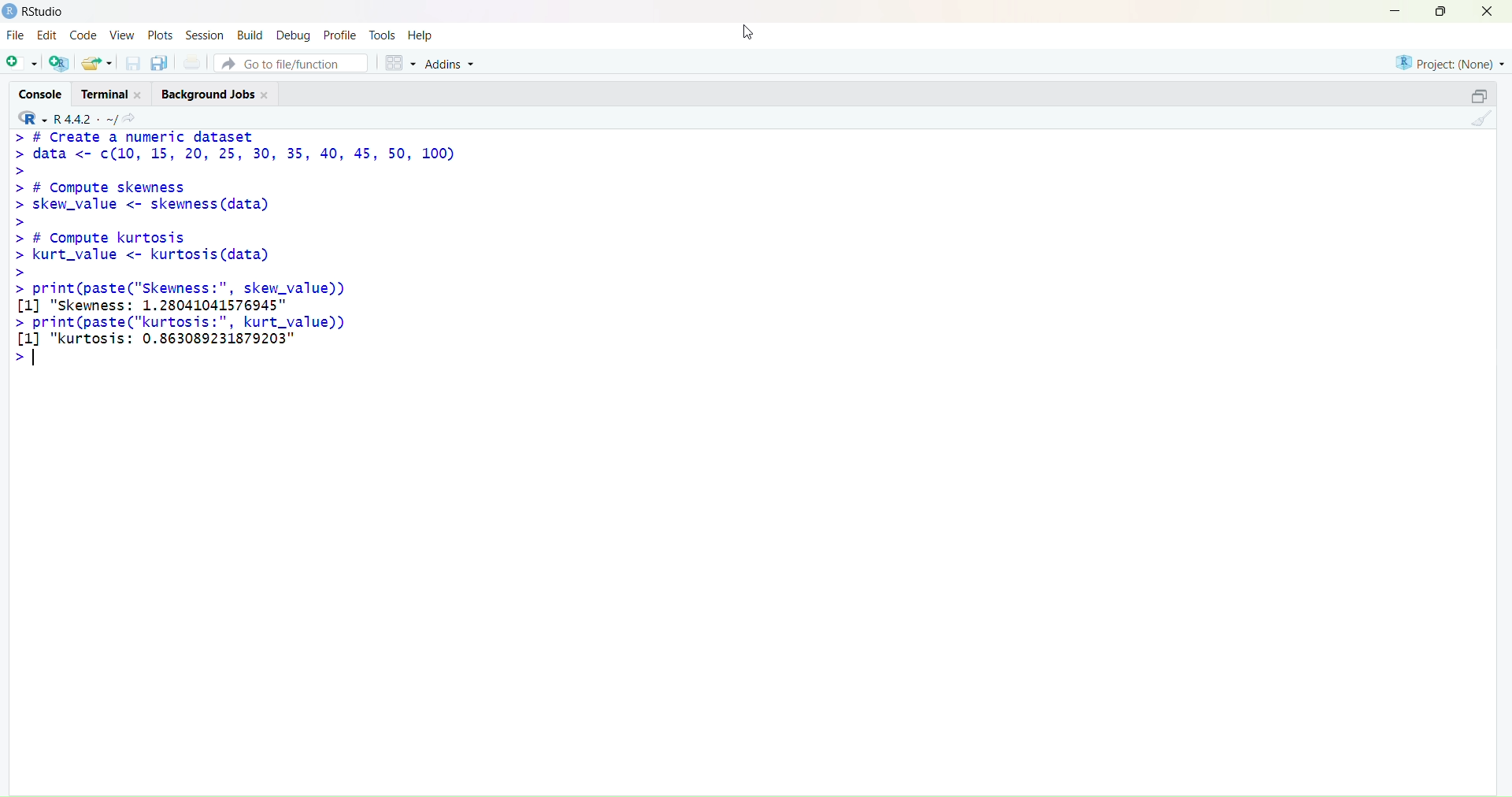 This screenshot has height=797, width=1512. I want to click on View, so click(120, 36).